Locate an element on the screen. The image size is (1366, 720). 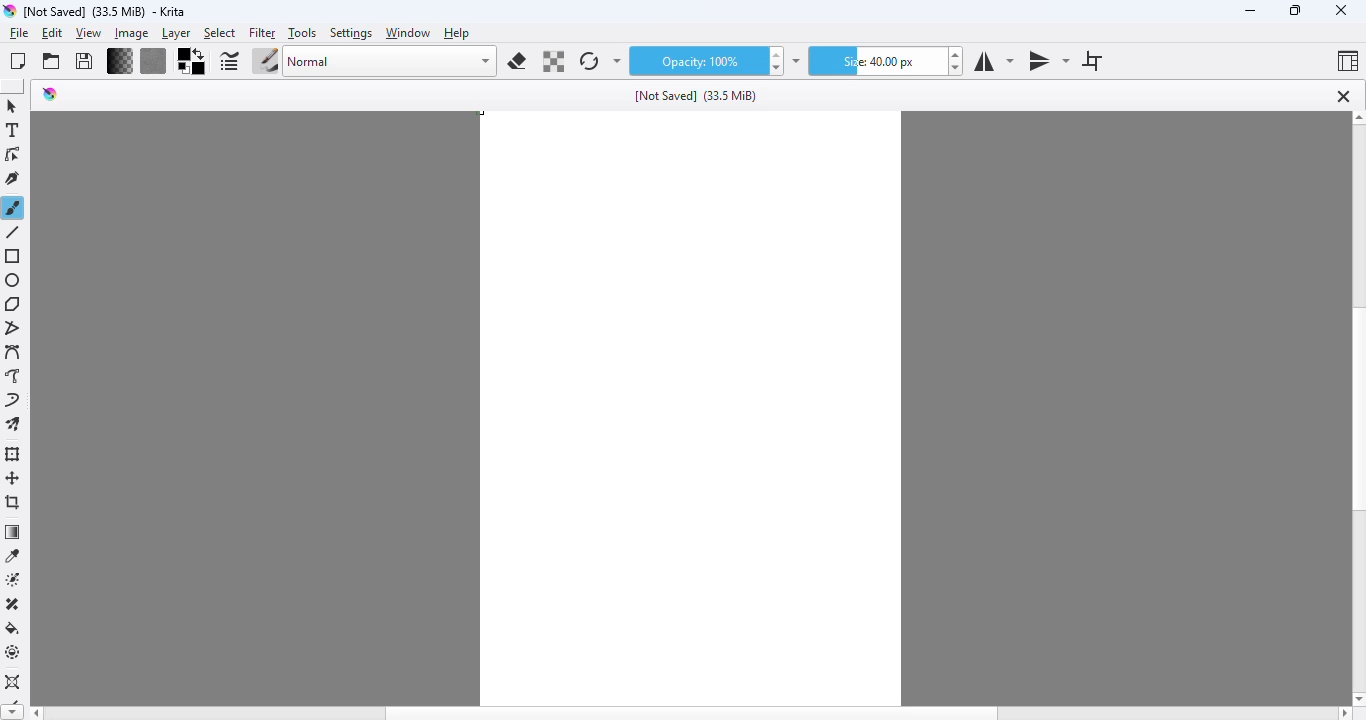
bezier curve tool is located at coordinates (15, 352).